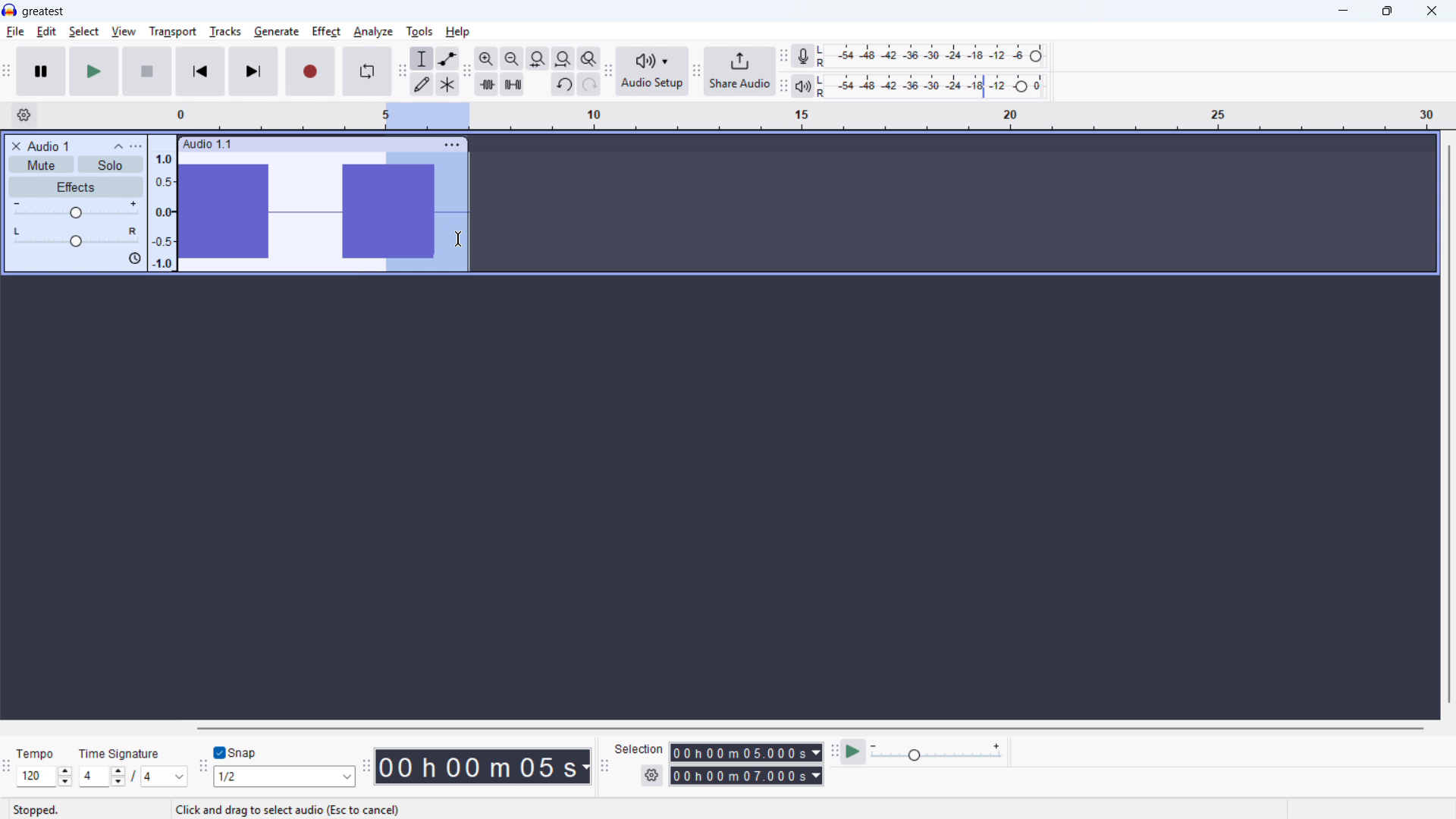  Describe the element at coordinates (747, 752) in the screenshot. I see `Selection start time ` at that location.